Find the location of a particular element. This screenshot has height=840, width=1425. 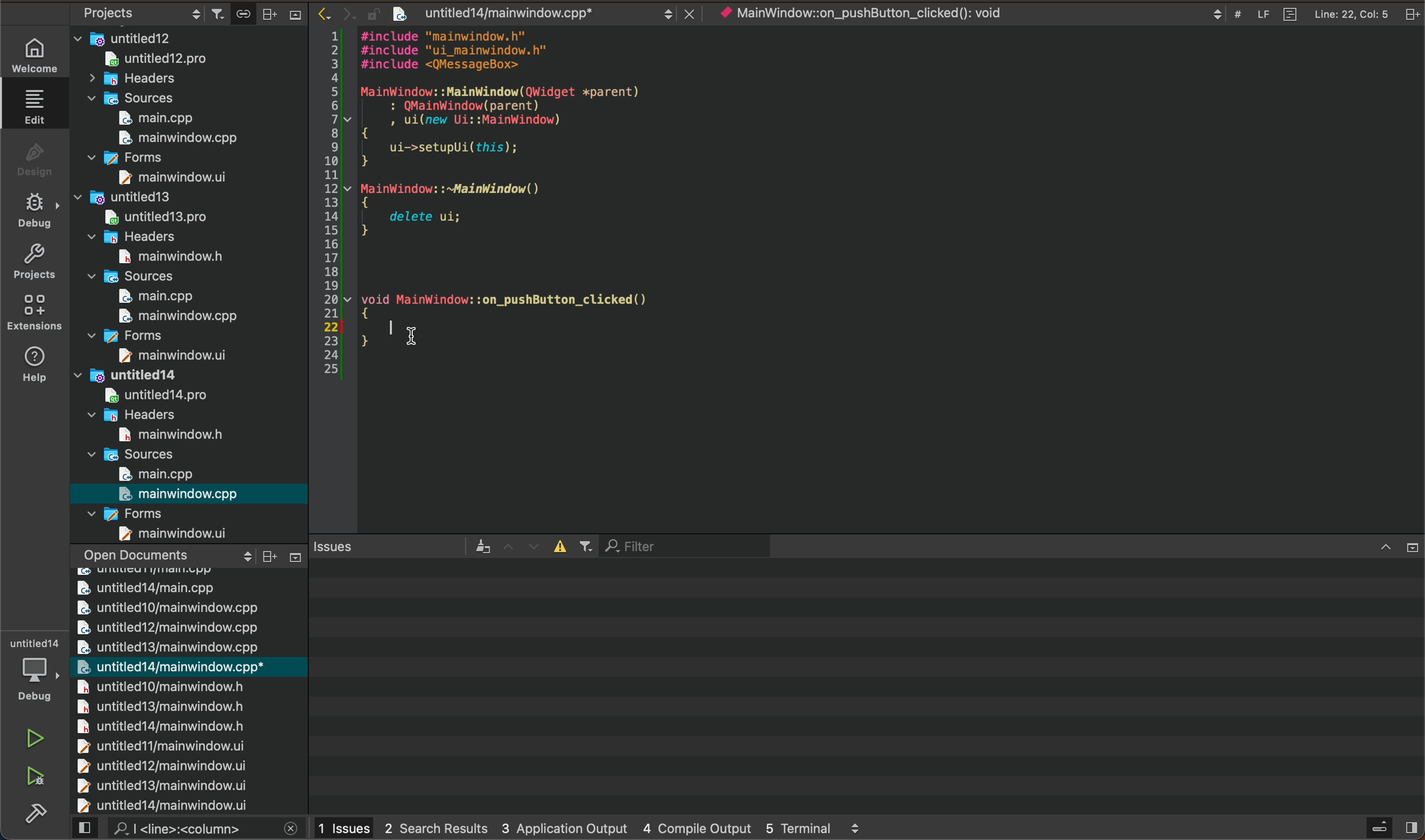

forms is located at coordinates (130, 159).